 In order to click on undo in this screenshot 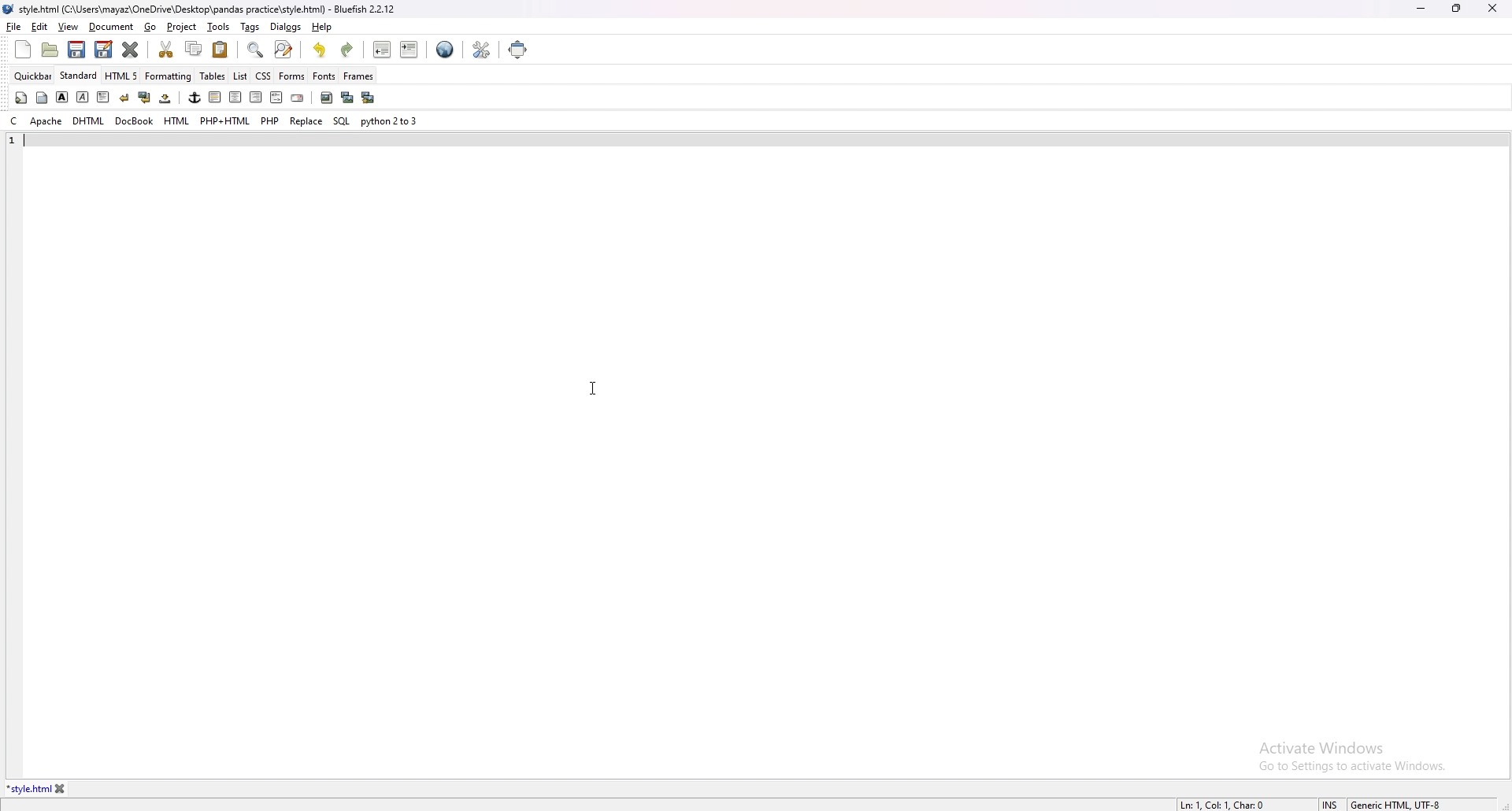, I will do `click(321, 50)`.